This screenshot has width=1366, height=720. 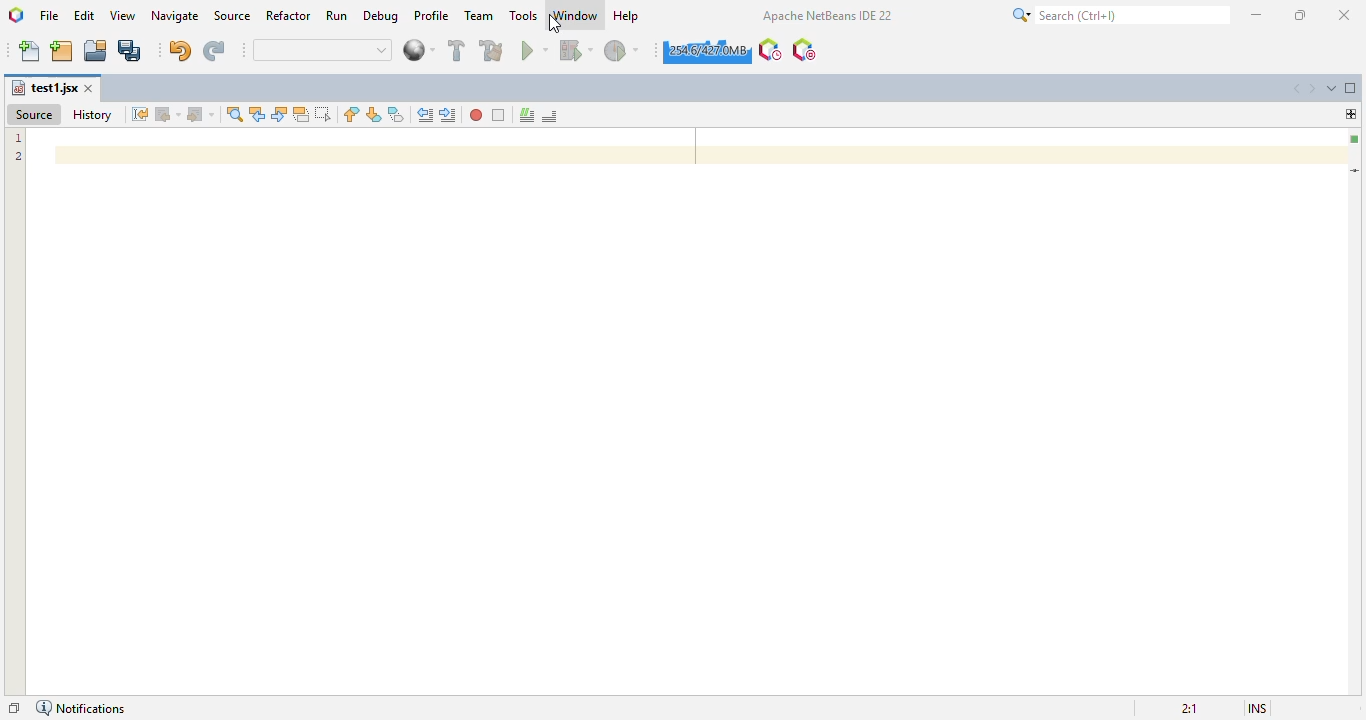 What do you see at coordinates (141, 114) in the screenshot?
I see `last edit` at bounding box center [141, 114].